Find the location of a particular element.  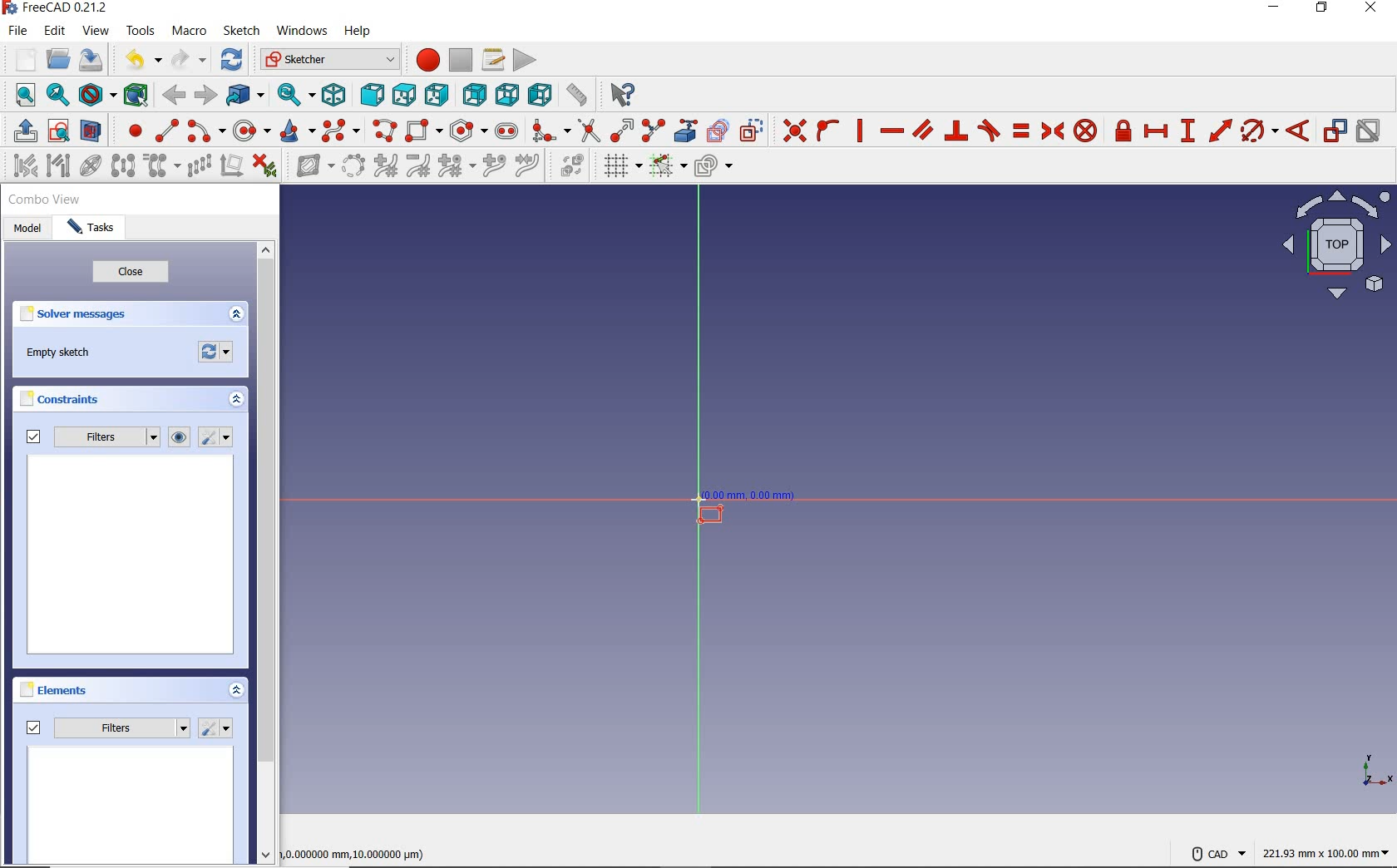

create line is located at coordinates (164, 130).